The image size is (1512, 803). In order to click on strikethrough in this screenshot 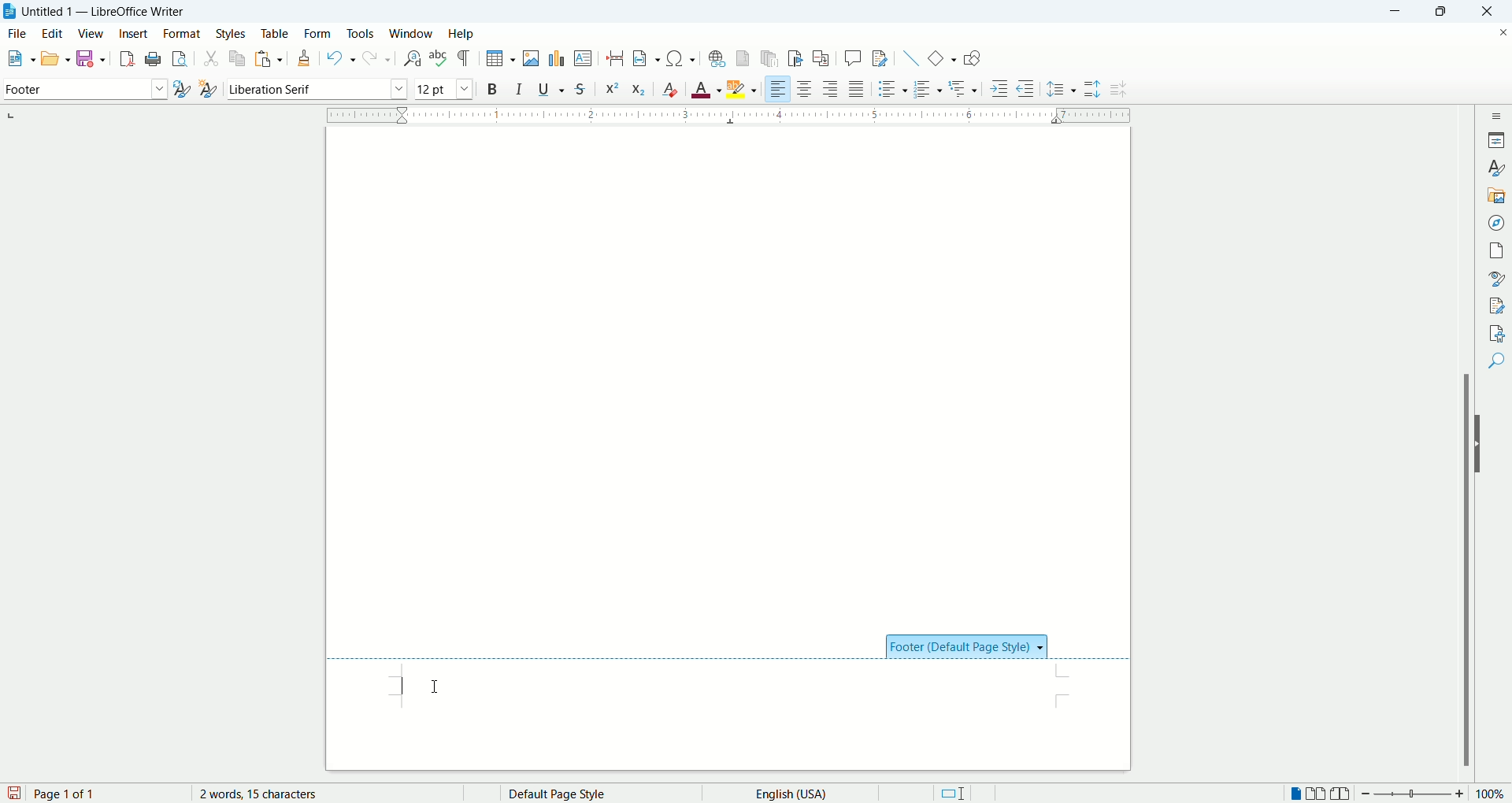, I will do `click(580, 91)`.